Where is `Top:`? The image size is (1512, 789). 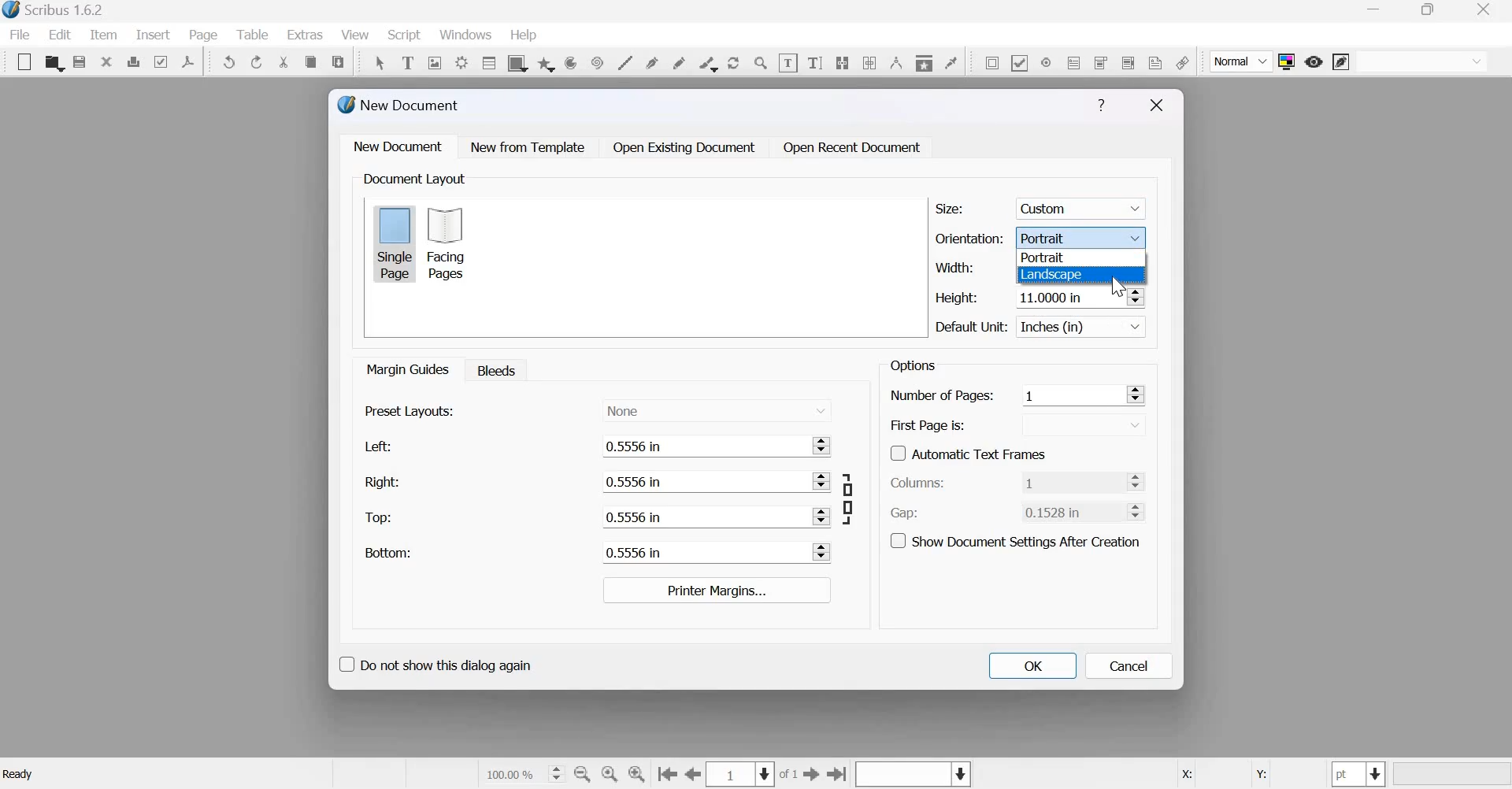
Top: is located at coordinates (380, 518).